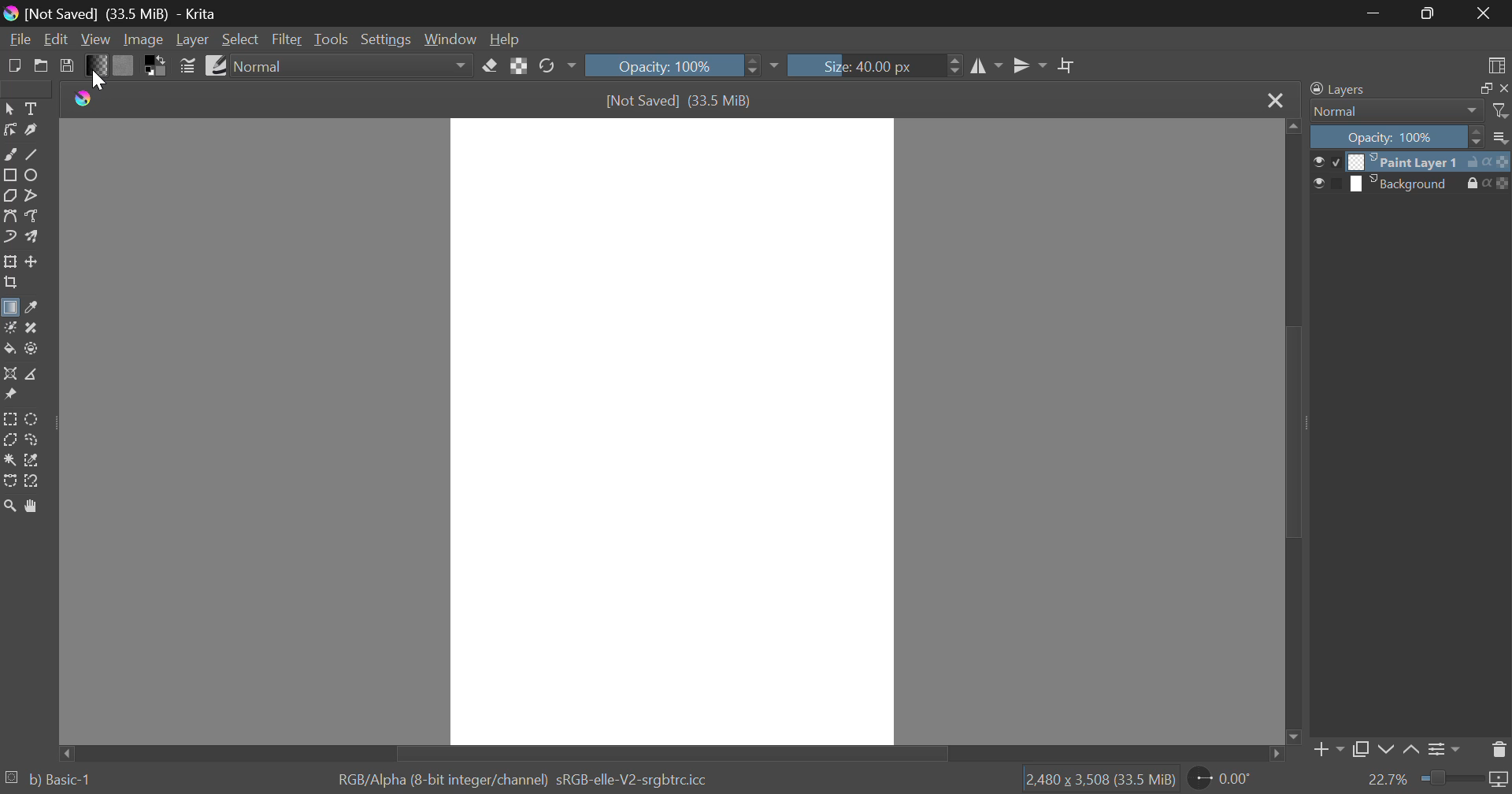 This screenshot has height=794, width=1512. I want to click on Close, so click(1488, 13).